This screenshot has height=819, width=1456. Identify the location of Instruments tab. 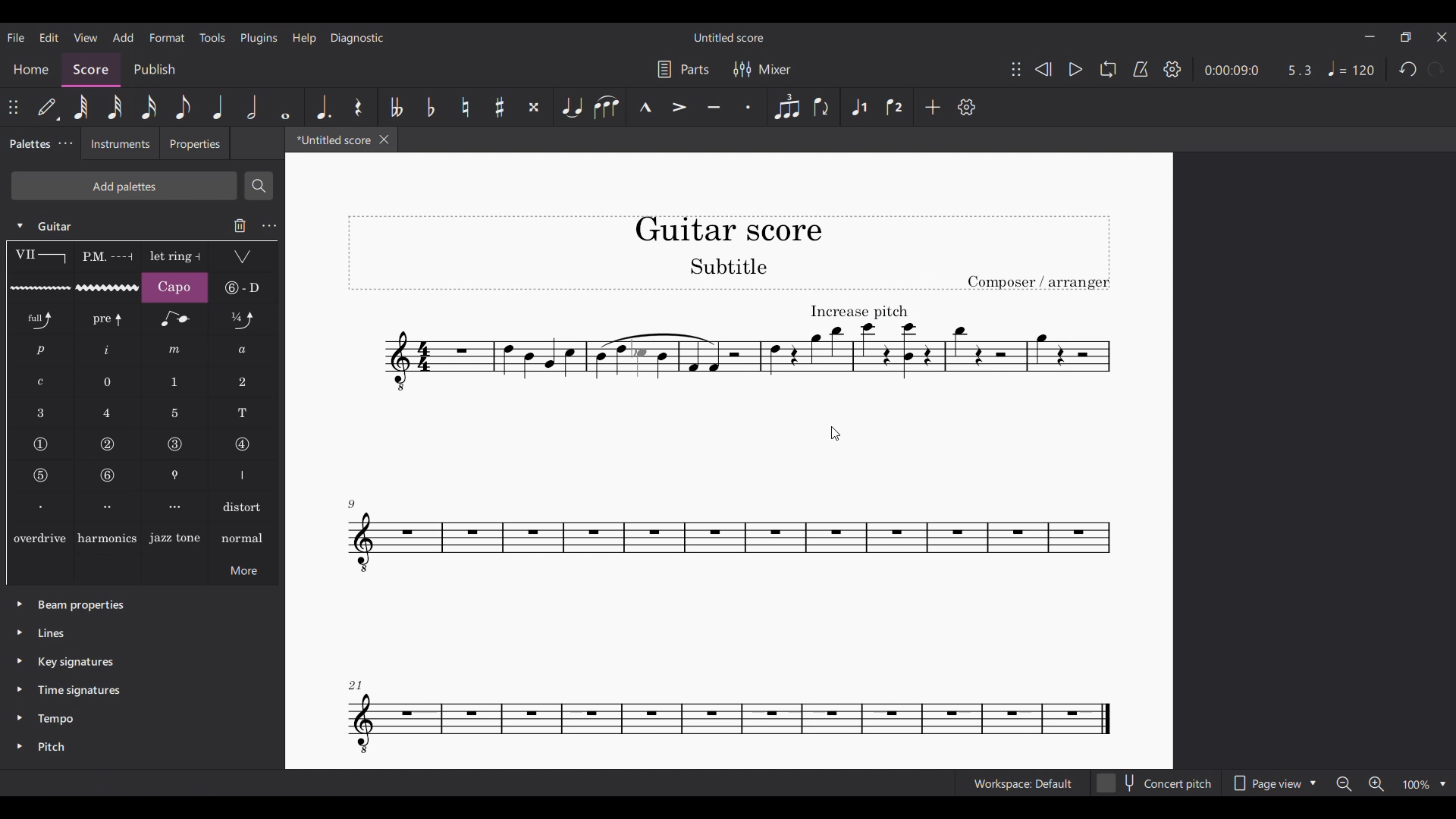
(120, 143).